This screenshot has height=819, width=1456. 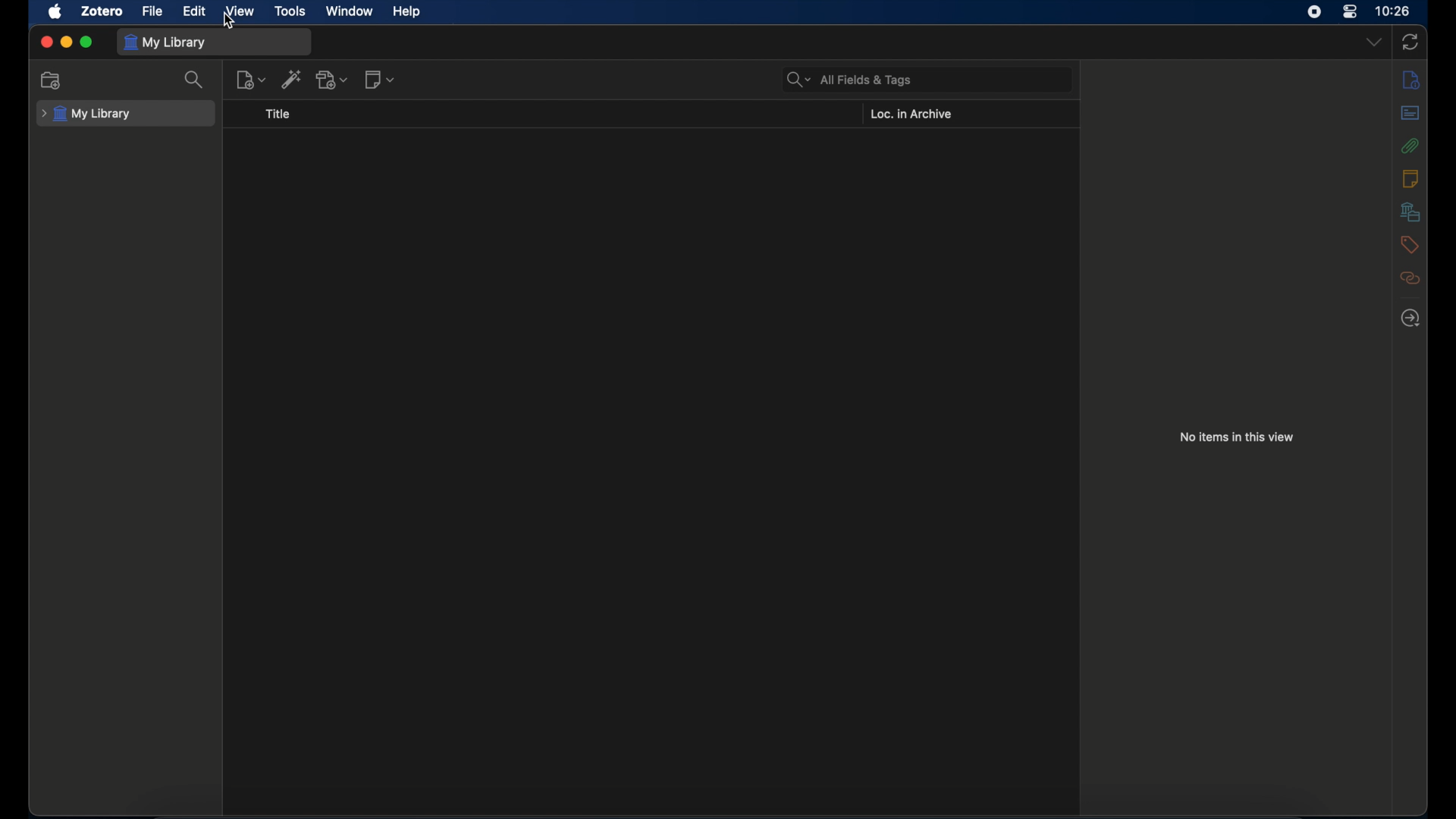 What do you see at coordinates (250, 80) in the screenshot?
I see `new item` at bounding box center [250, 80].